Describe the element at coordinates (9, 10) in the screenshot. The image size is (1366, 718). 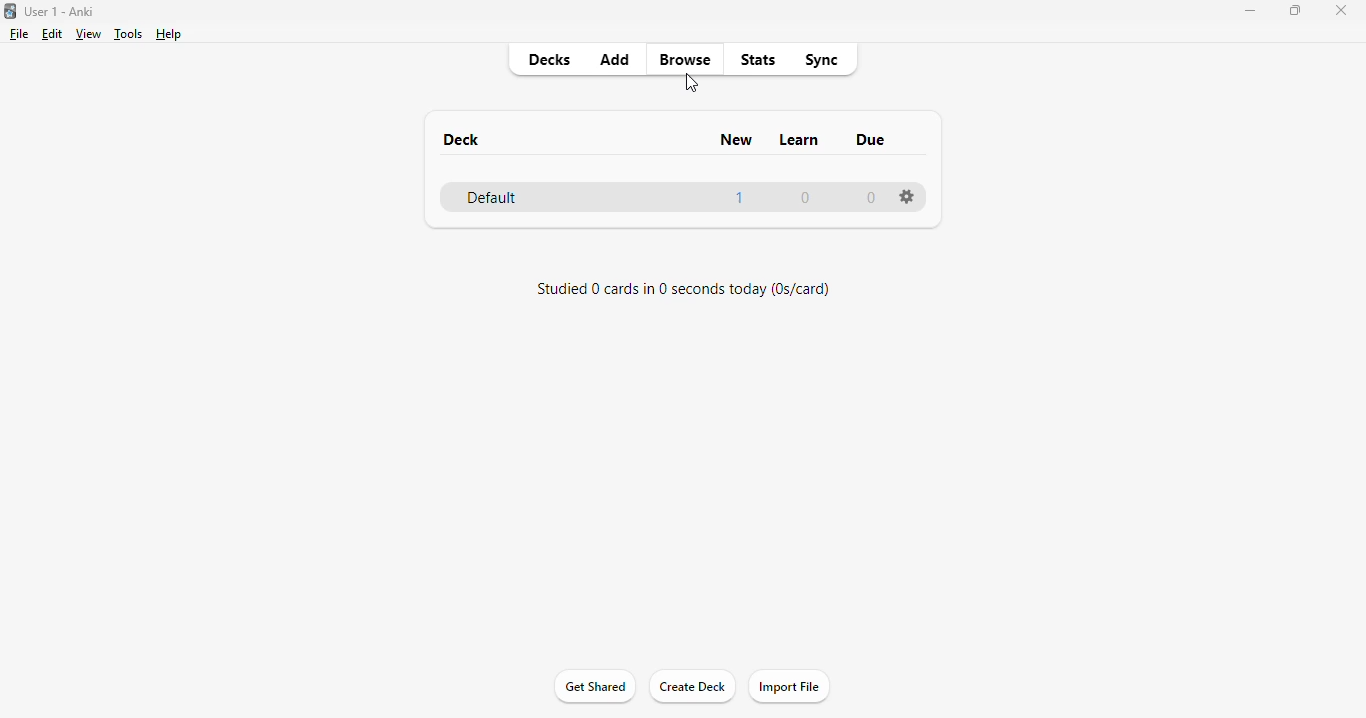
I see `logo` at that location.